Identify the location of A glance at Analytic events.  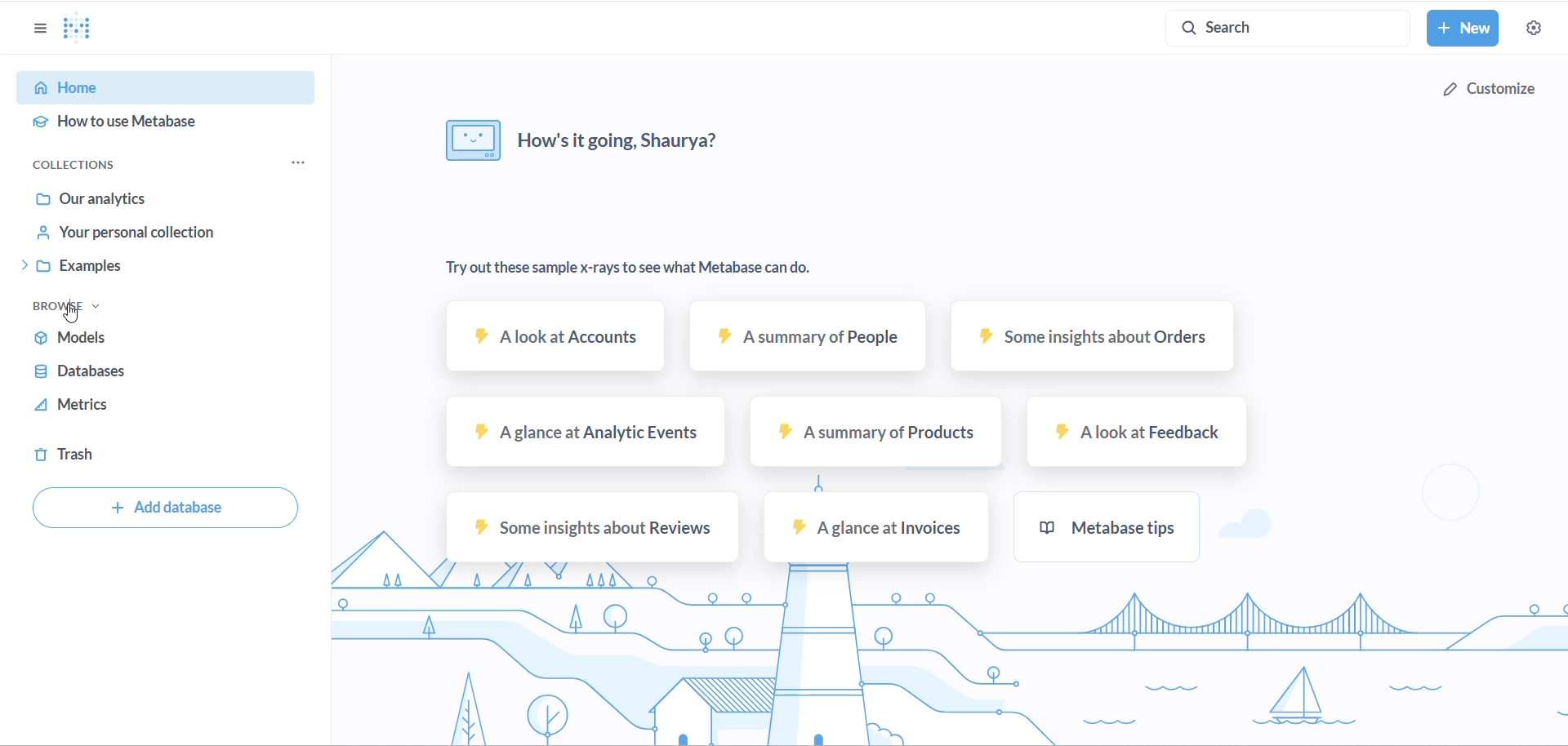
(589, 437).